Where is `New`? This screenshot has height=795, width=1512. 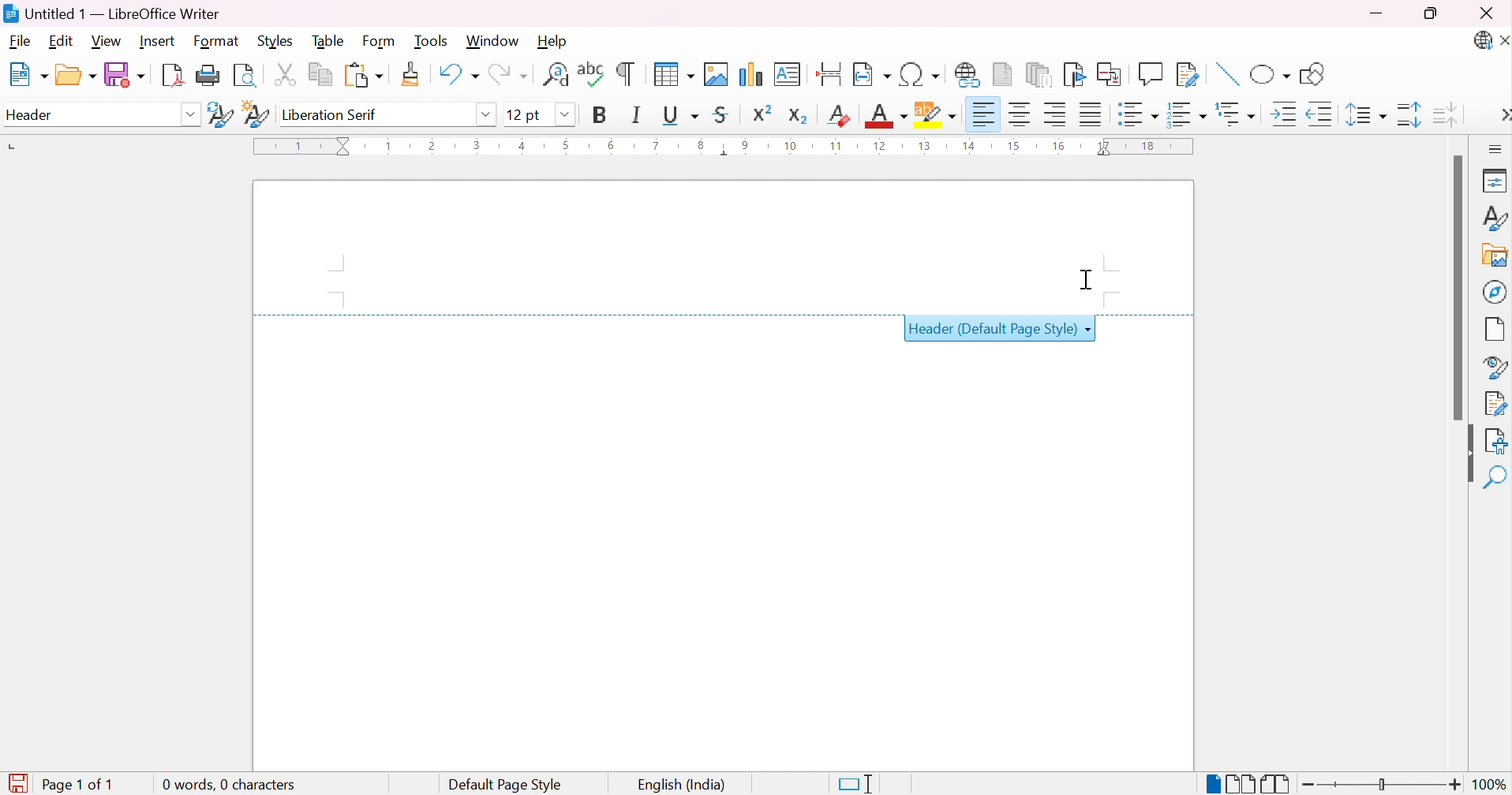
New is located at coordinates (32, 74).